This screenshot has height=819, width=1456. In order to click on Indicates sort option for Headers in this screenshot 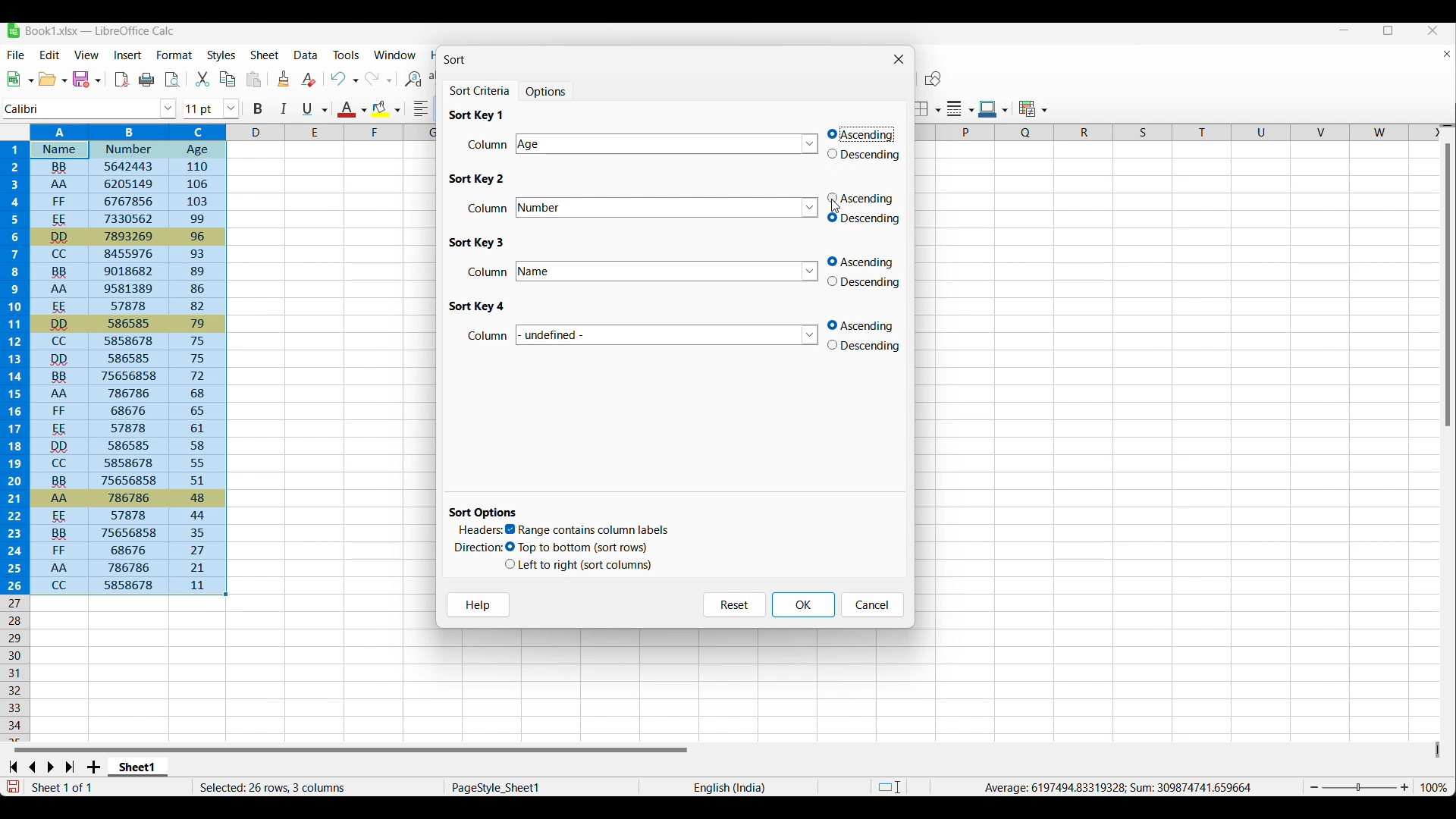, I will do `click(481, 529)`.